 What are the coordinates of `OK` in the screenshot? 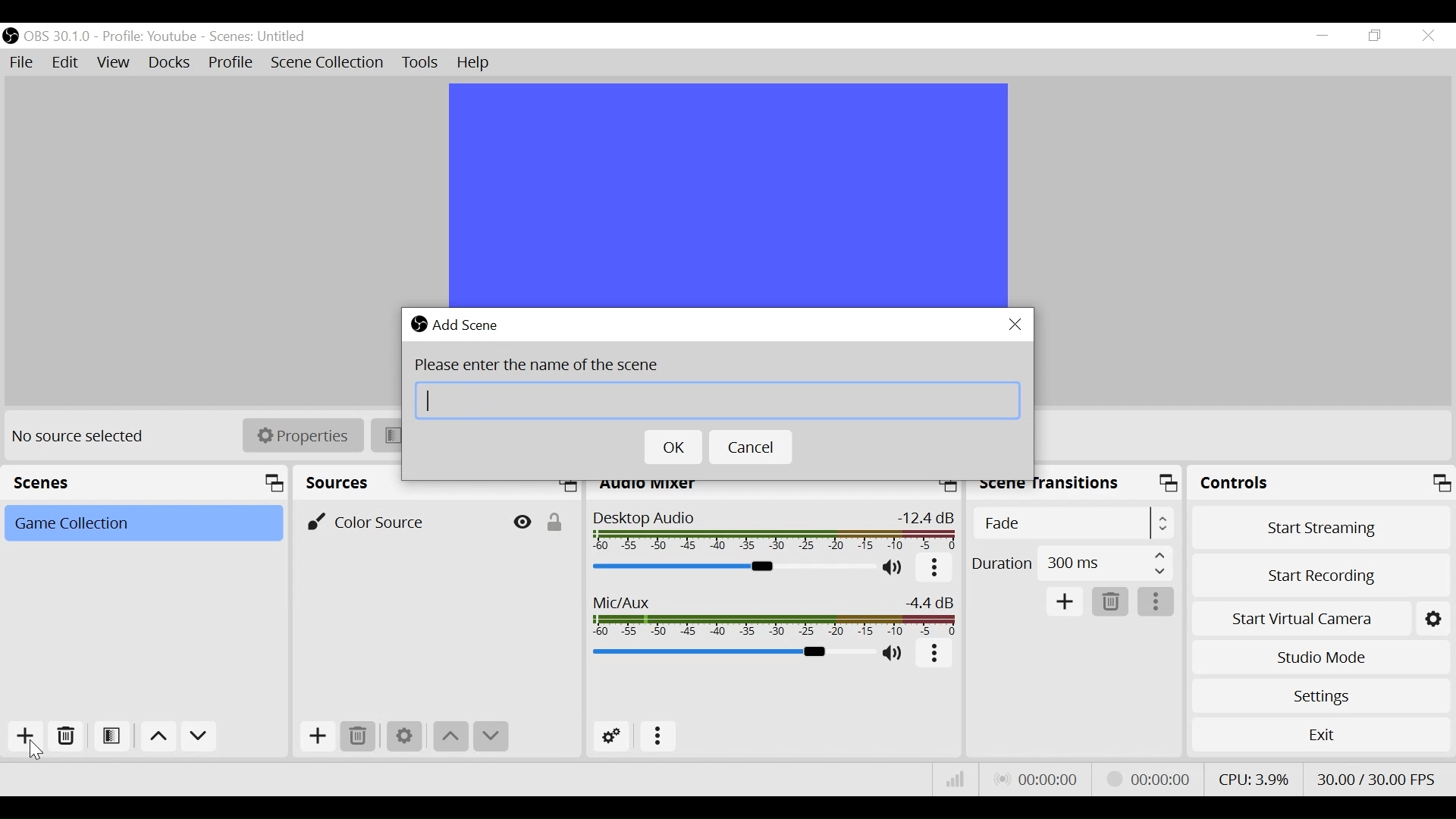 It's located at (674, 447).